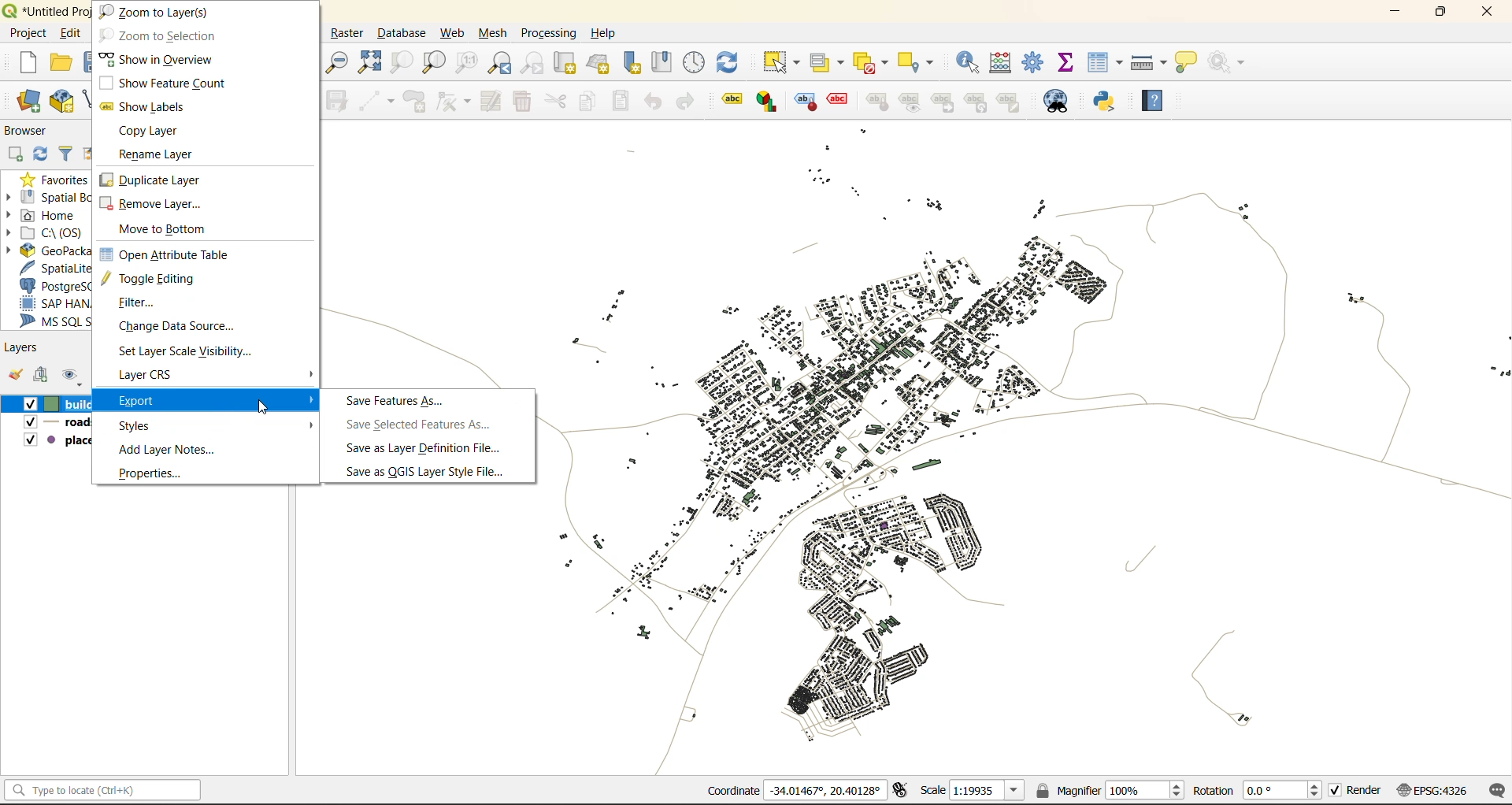  Describe the element at coordinates (629, 63) in the screenshot. I see `new spatial bookmarks` at that location.